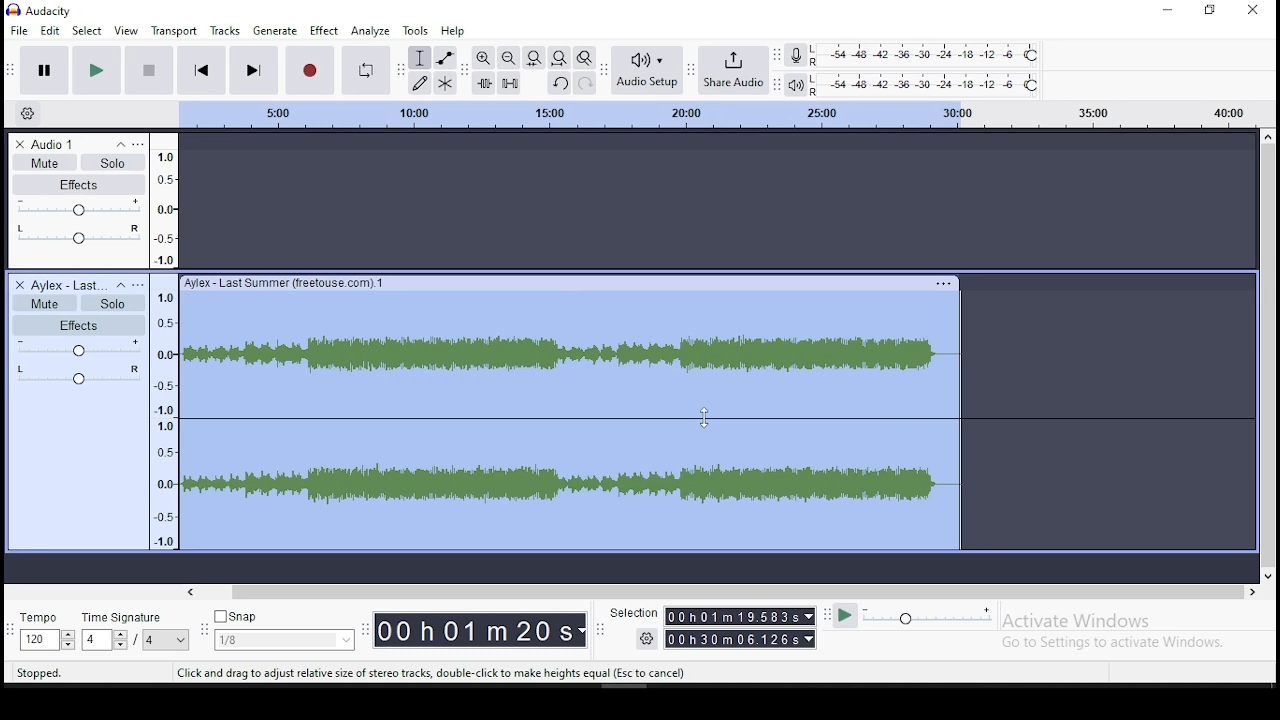 This screenshot has width=1280, height=720. What do you see at coordinates (559, 83) in the screenshot?
I see `undo` at bounding box center [559, 83].